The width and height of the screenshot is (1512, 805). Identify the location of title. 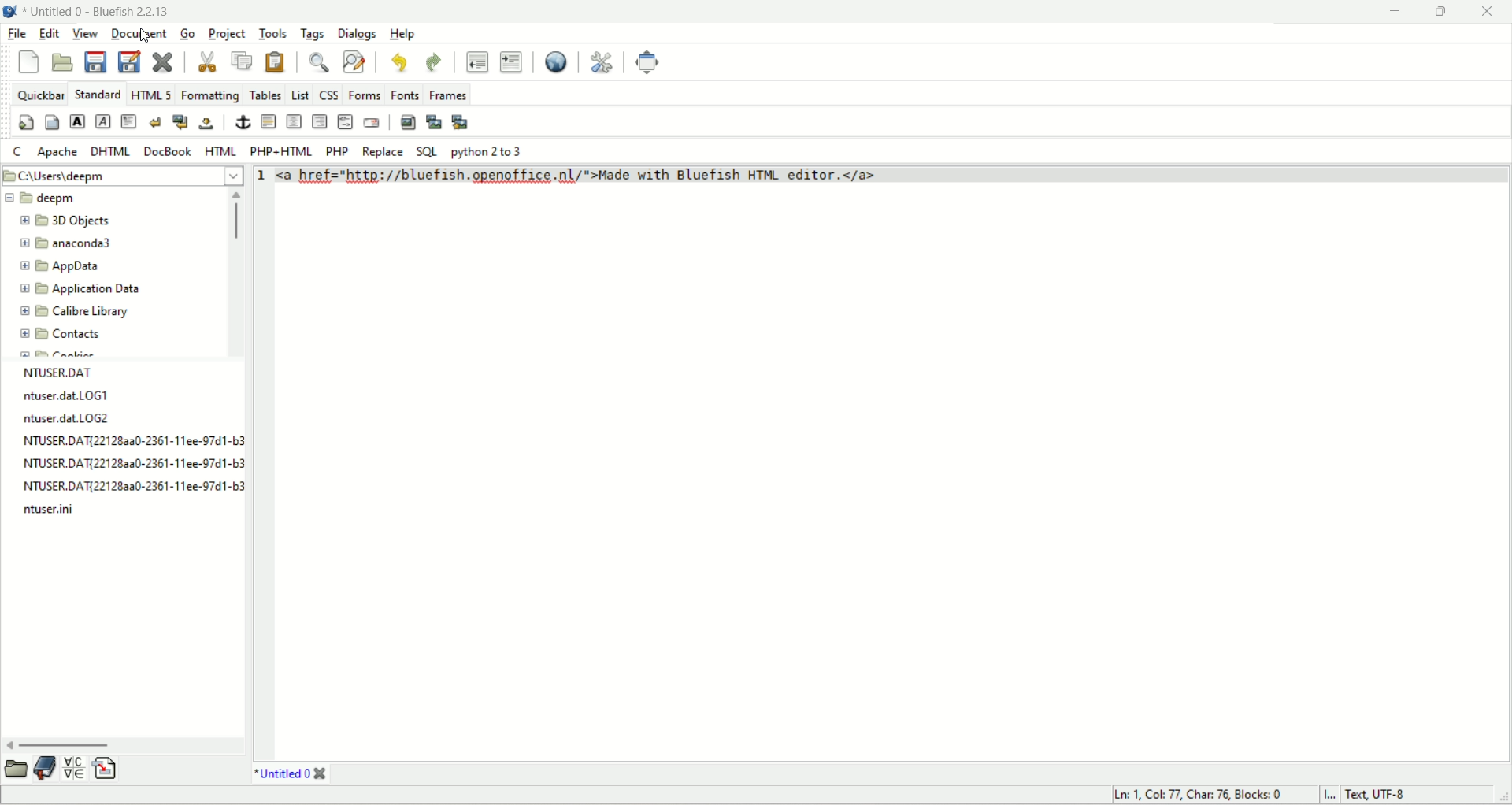
(289, 773).